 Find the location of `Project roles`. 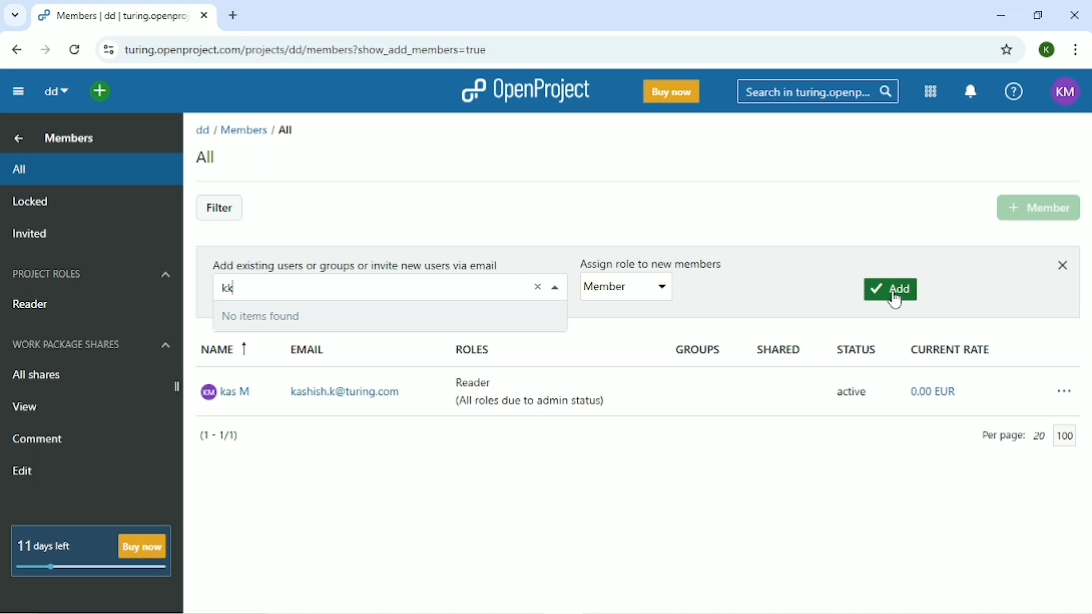

Project roles is located at coordinates (89, 274).